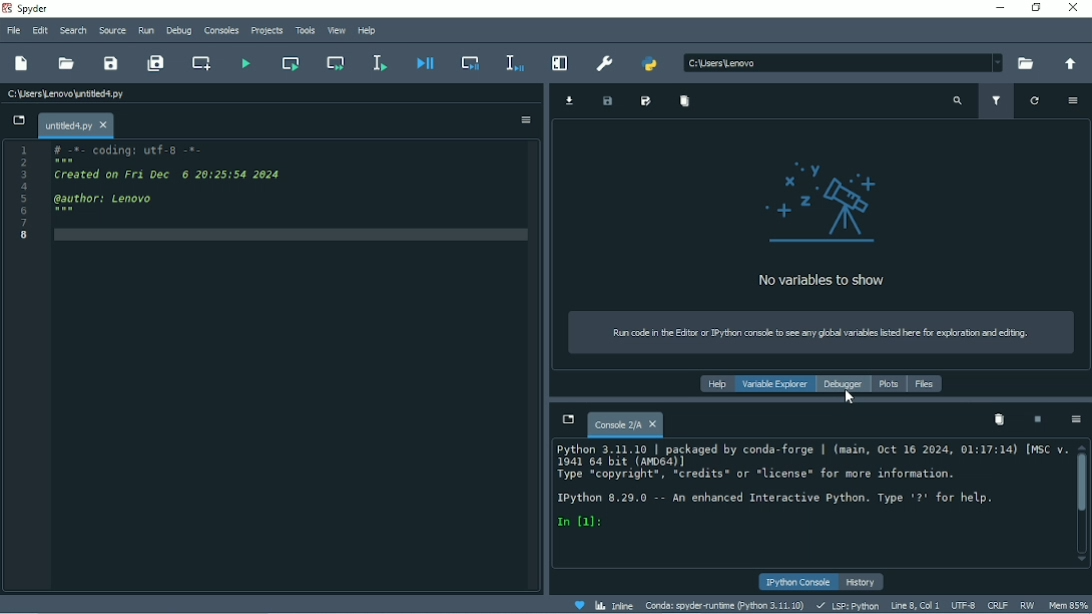 The height and width of the screenshot is (614, 1092). Describe the element at coordinates (851, 401) in the screenshot. I see `cursor` at that location.